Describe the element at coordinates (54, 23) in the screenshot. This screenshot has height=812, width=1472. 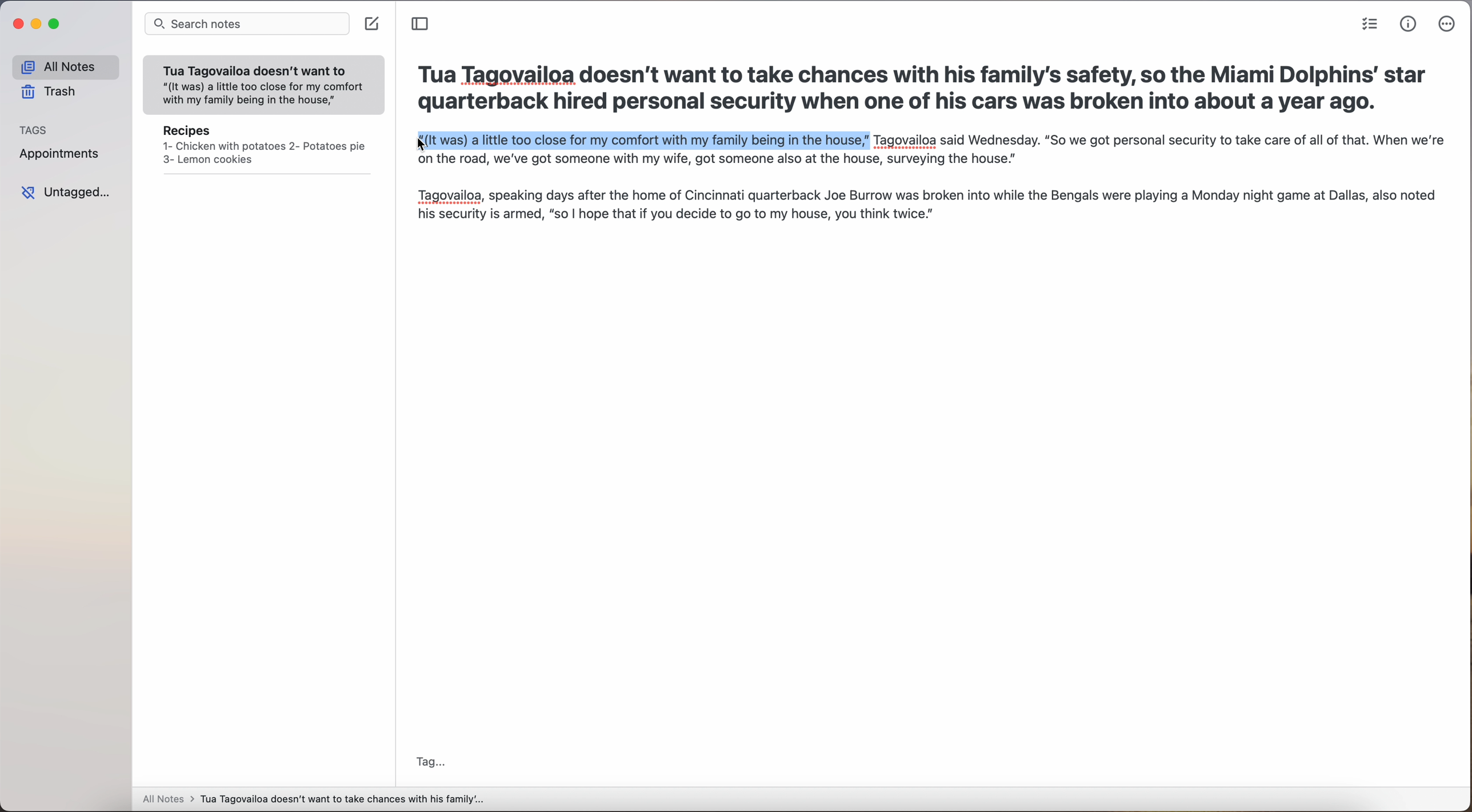
I see `maximize Simplenote` at that location.